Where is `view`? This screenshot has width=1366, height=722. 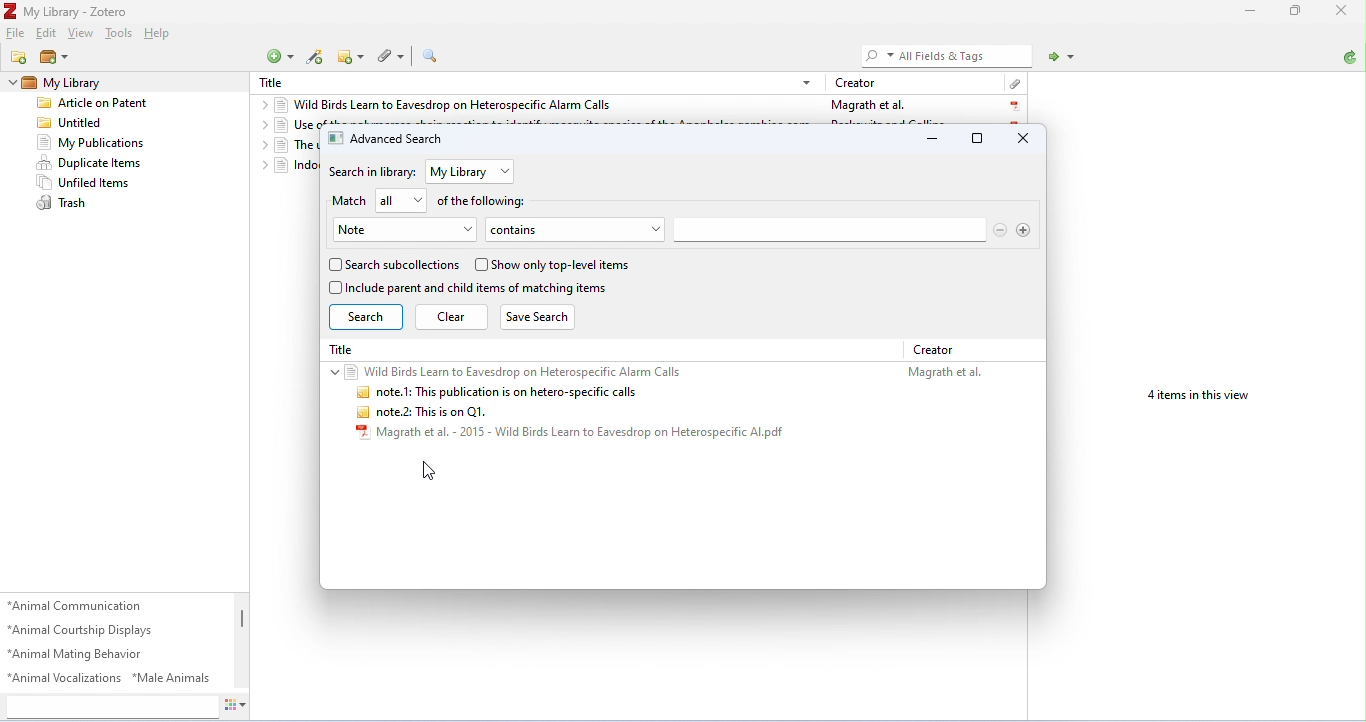
view is located at coordinates (82, 34).